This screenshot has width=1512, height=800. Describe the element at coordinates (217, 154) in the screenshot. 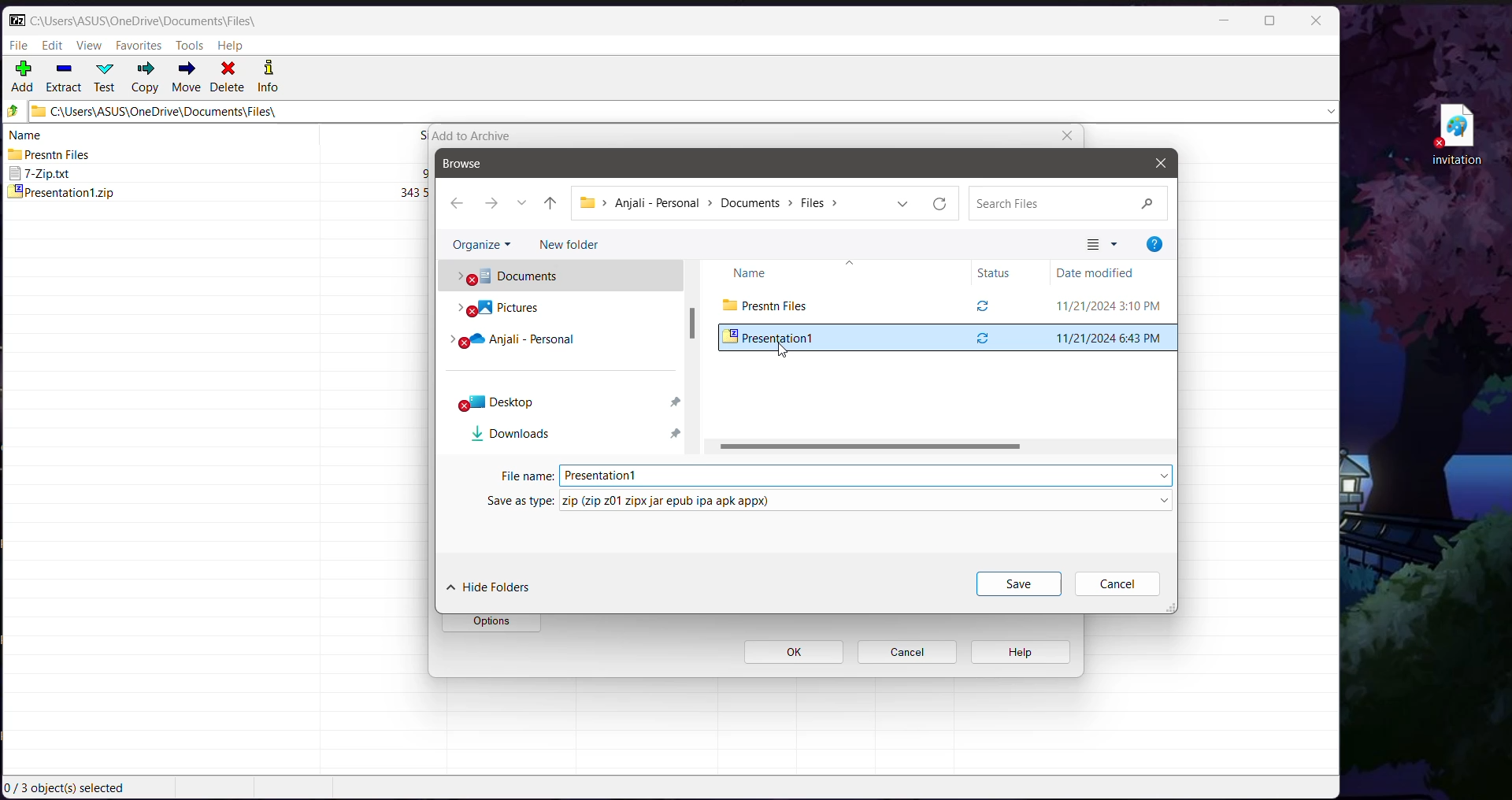

I see `Presntn Files 2024-11-21 15.10 2024-11-20 22:14` at that location.